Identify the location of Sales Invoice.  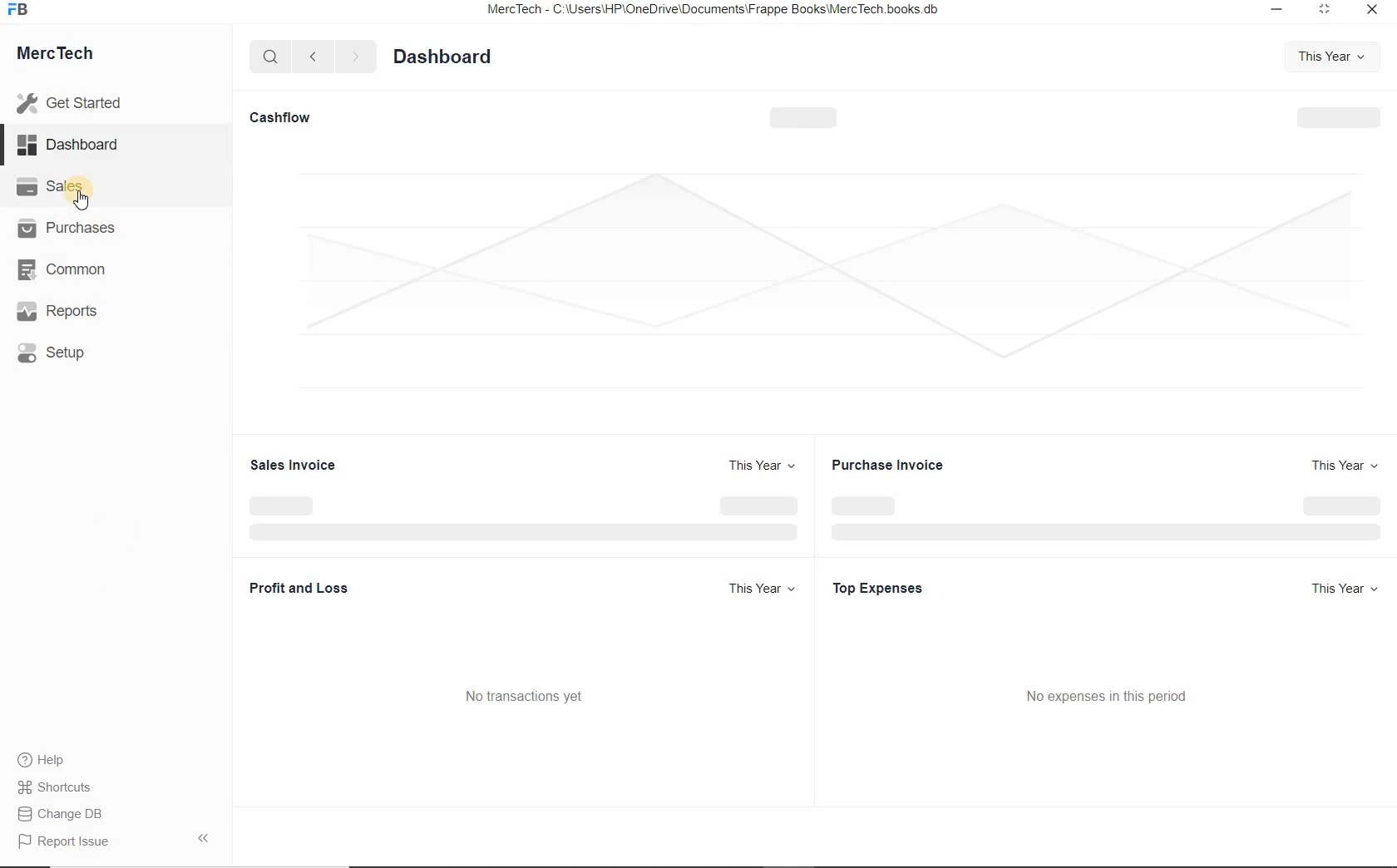
(294, 465).